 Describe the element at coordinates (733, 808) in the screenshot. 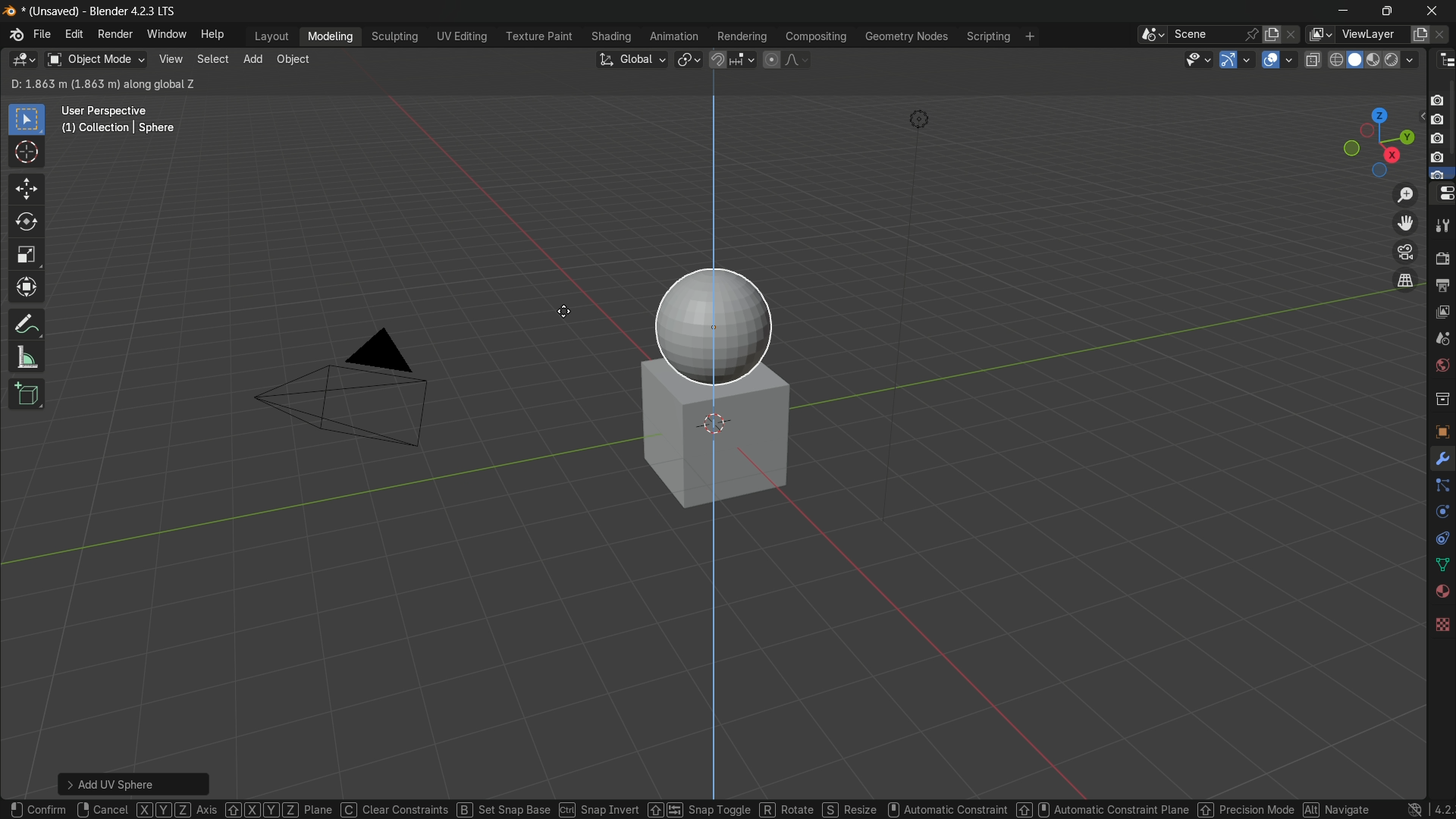

I see `Resize` at that location.